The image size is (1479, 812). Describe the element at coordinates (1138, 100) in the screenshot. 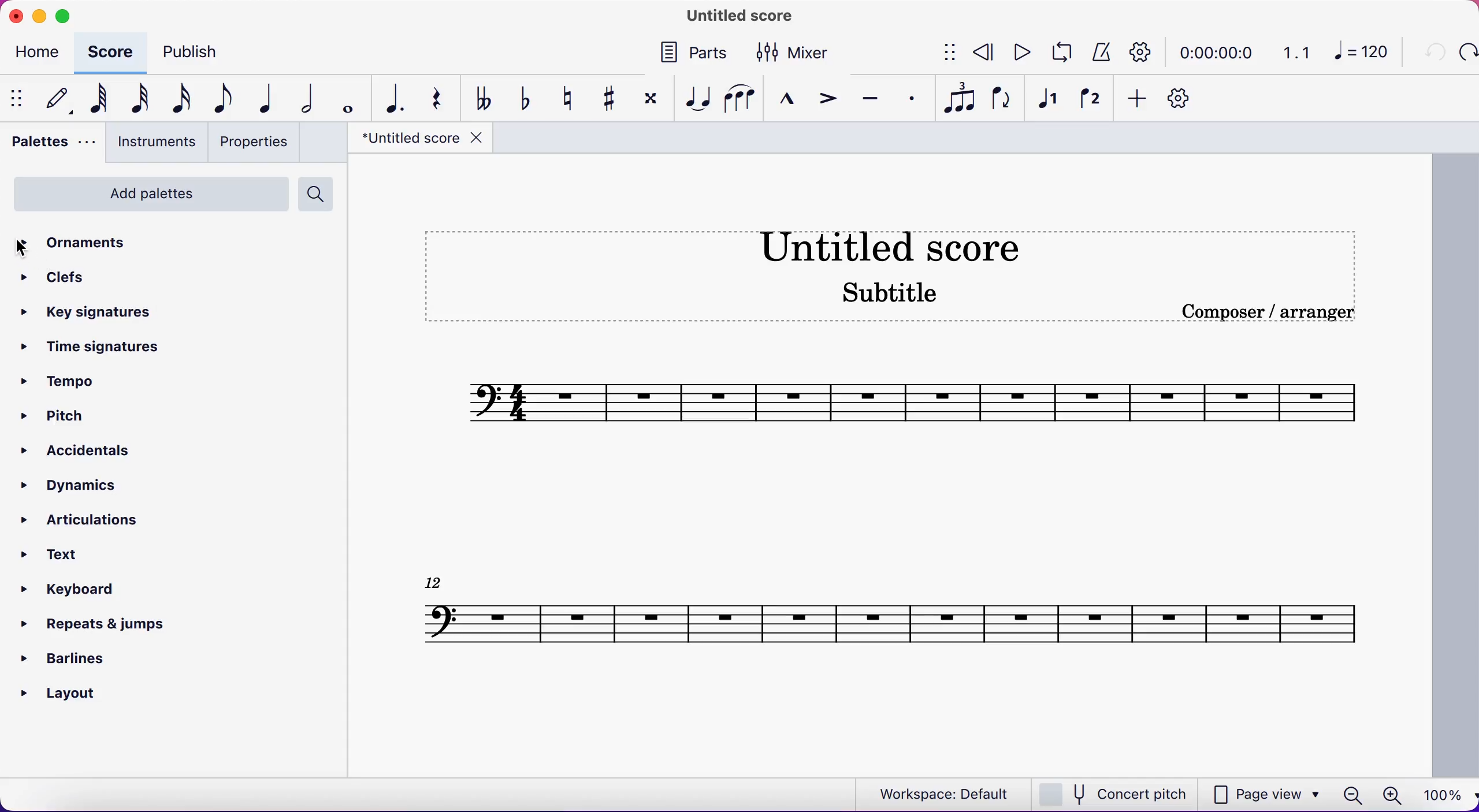

I see `add` at that location.